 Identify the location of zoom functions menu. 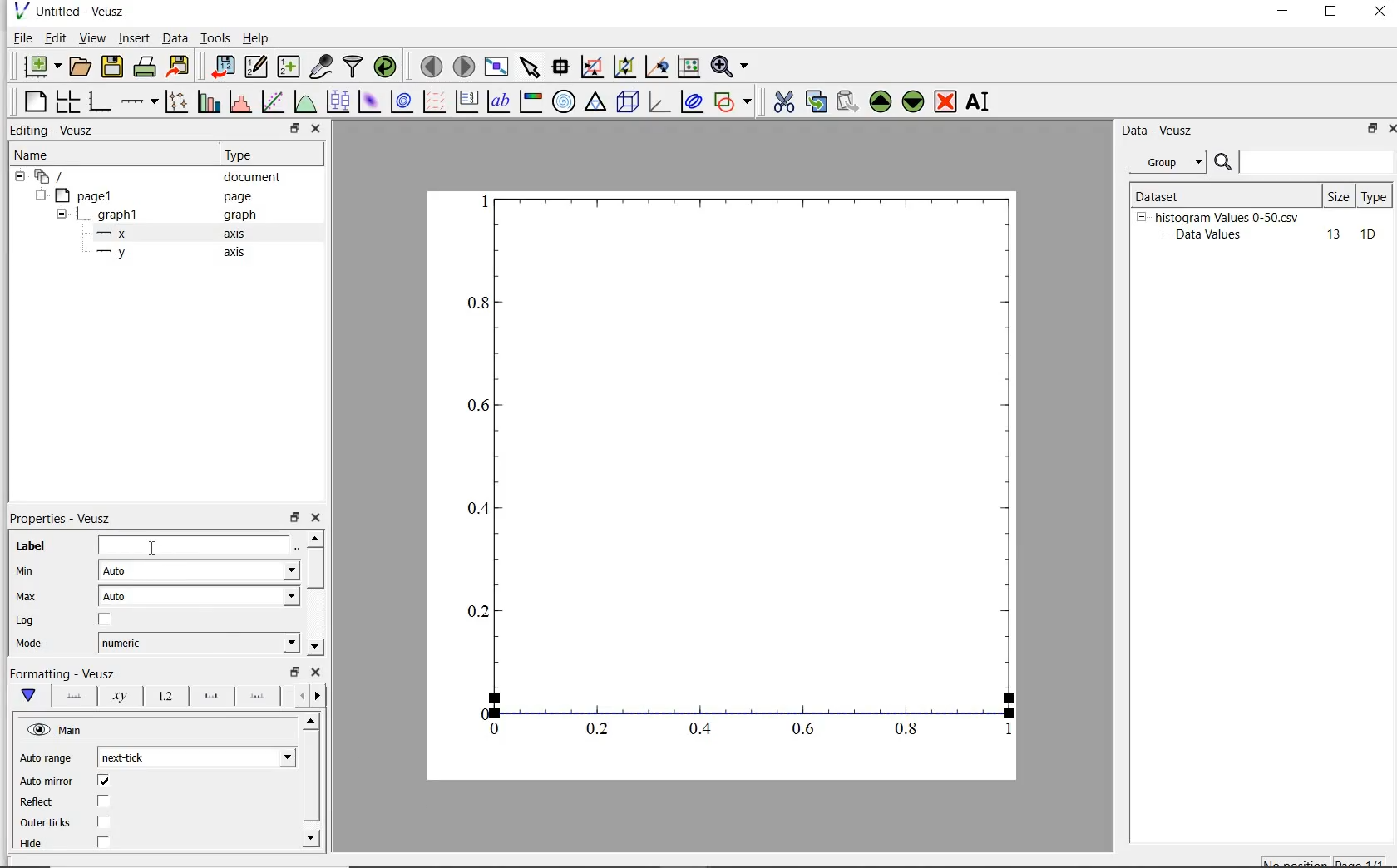
(730, 67).